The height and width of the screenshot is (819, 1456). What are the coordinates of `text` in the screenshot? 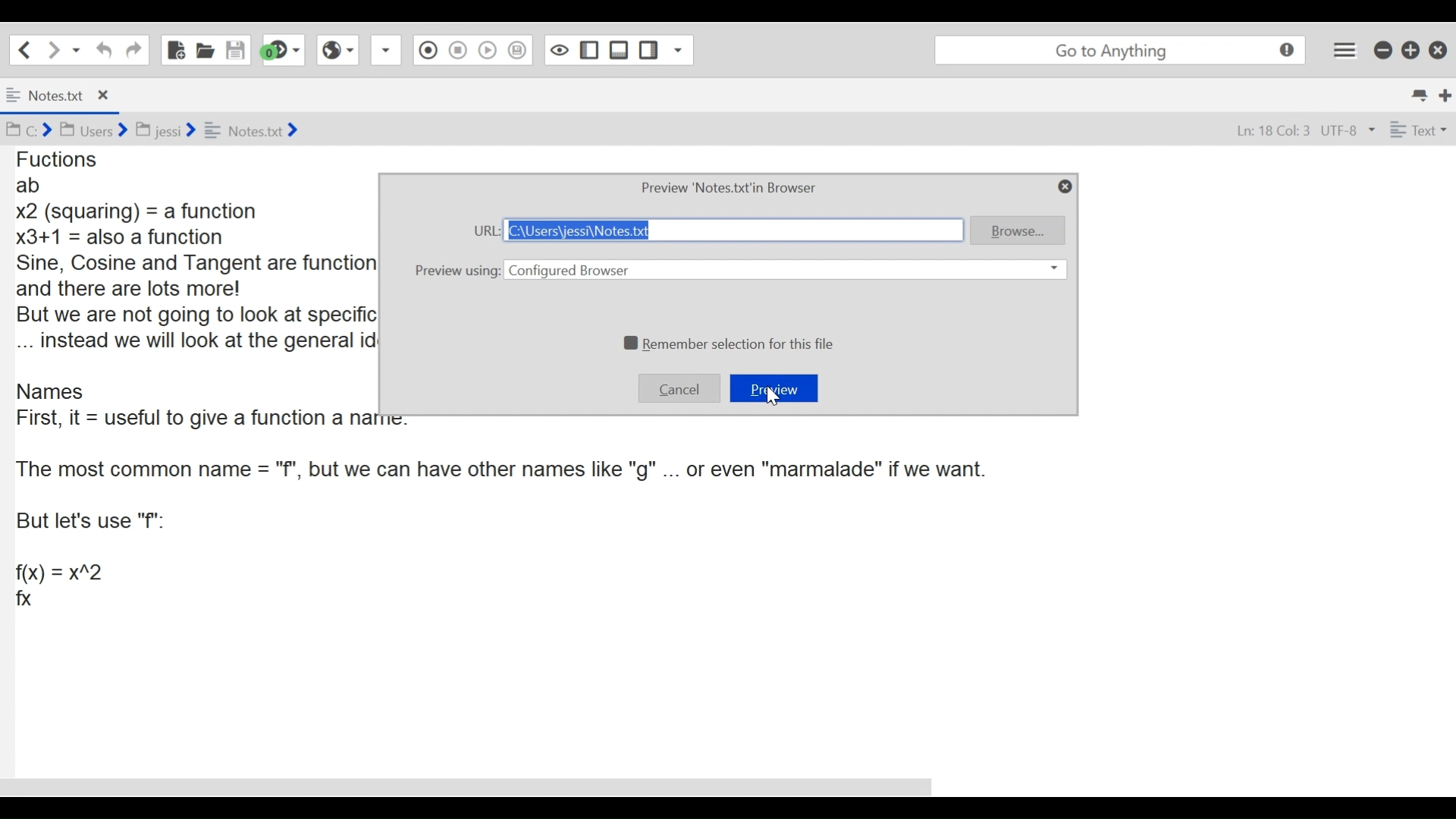 It's located at (1421, 129).